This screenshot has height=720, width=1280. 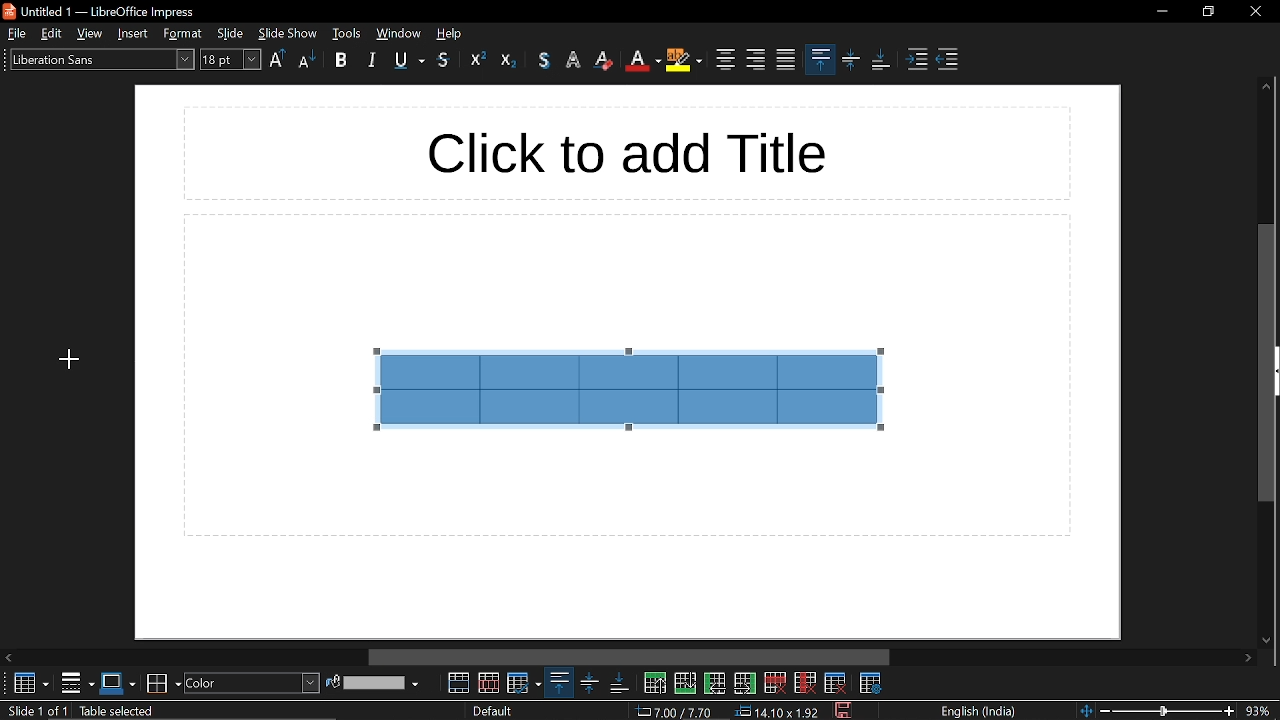 What do you see at coordinates (919, 59) in the screenshot?
I see `increase indent` at bounding box center [919, 59].